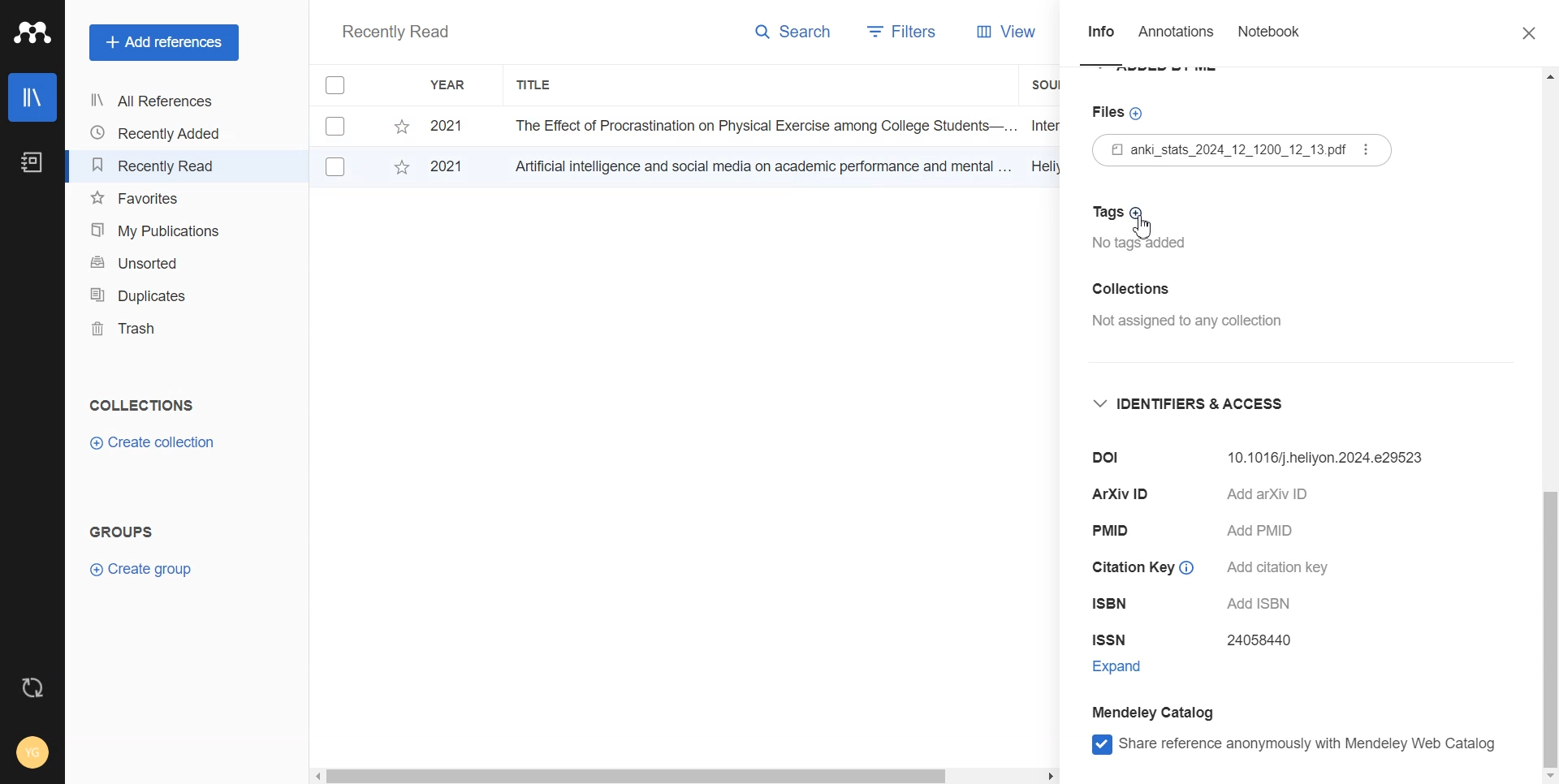 This screenshot has width=1559, height=784. Describe the element at coordinates (126, 532) in the screenshot. I see `Groups` at that location.